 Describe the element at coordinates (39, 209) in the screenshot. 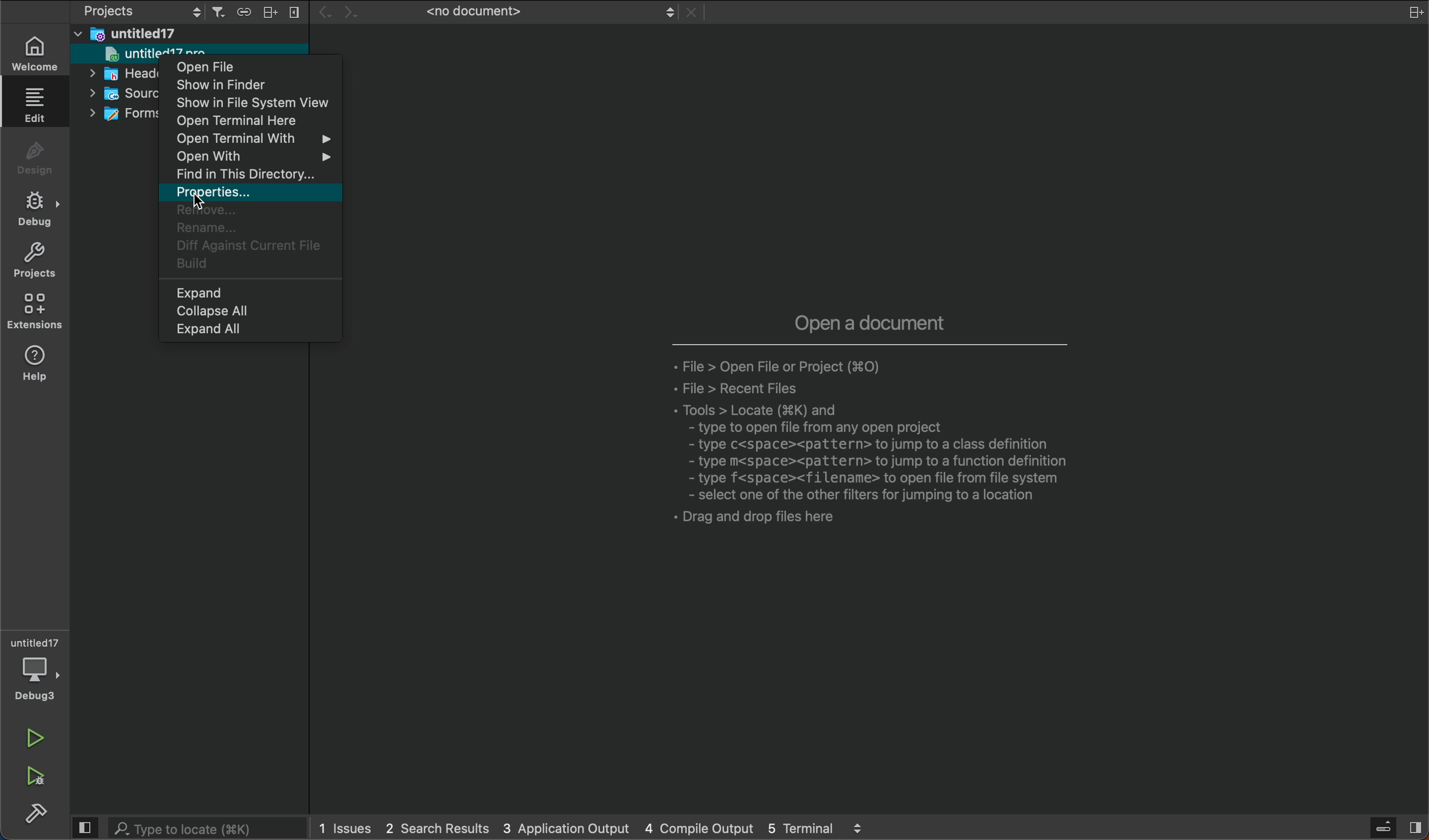

I see `debug` at that location.